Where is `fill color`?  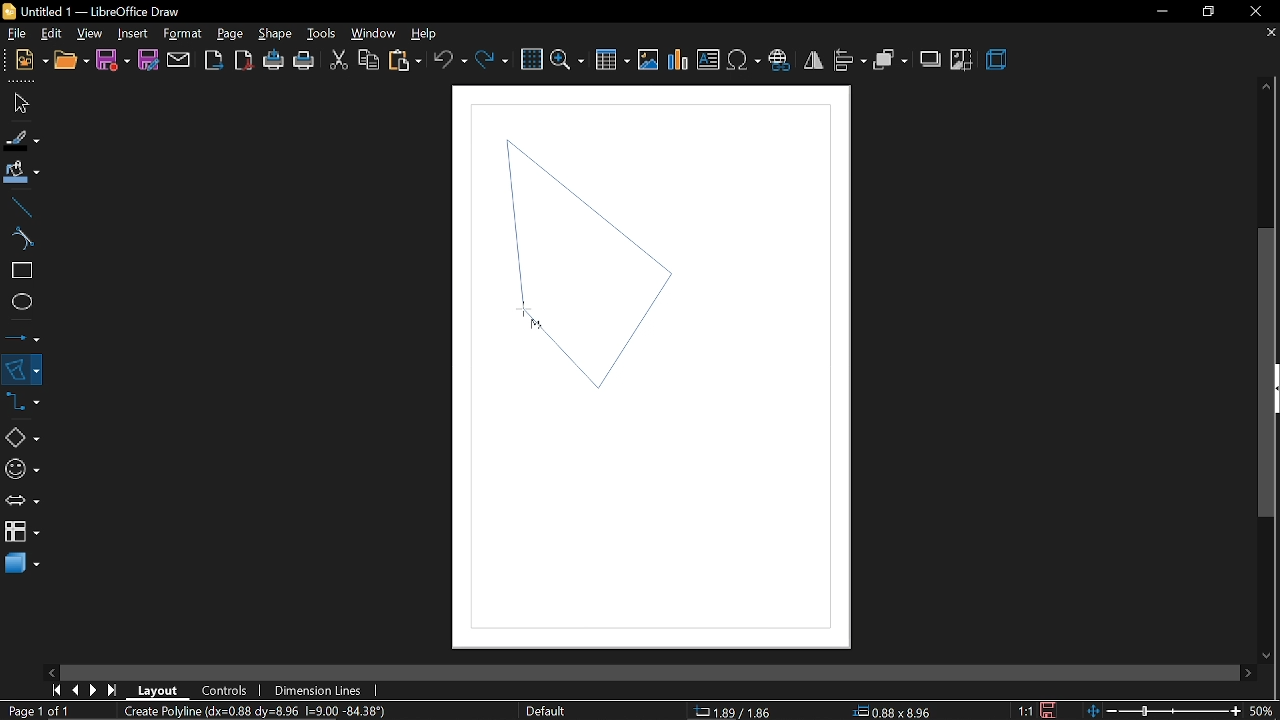 fill color is located at coordinates (19, 172).